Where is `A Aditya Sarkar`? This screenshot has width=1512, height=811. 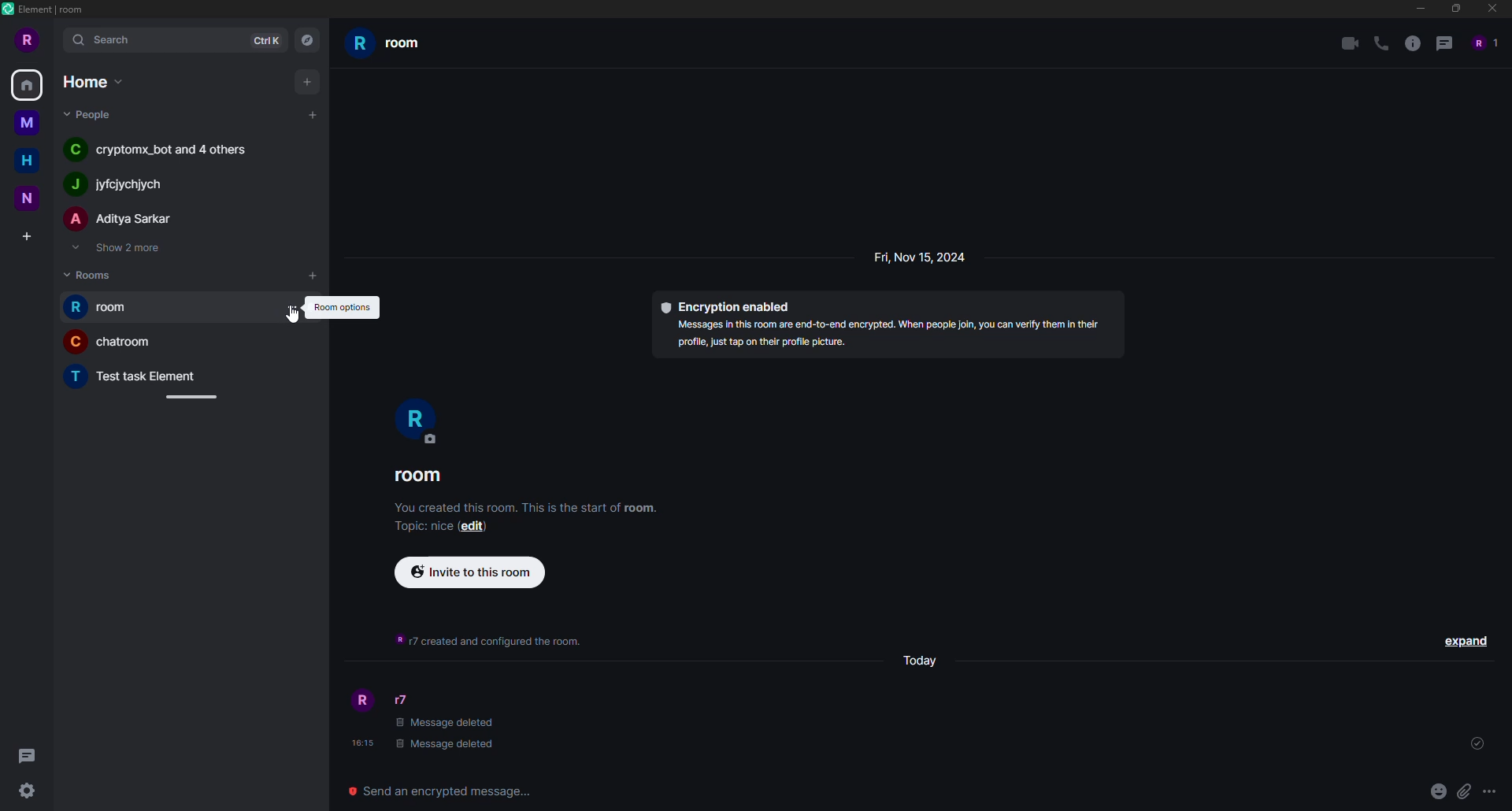
A Aditya Sarkar is located at coordinates (119, 221).